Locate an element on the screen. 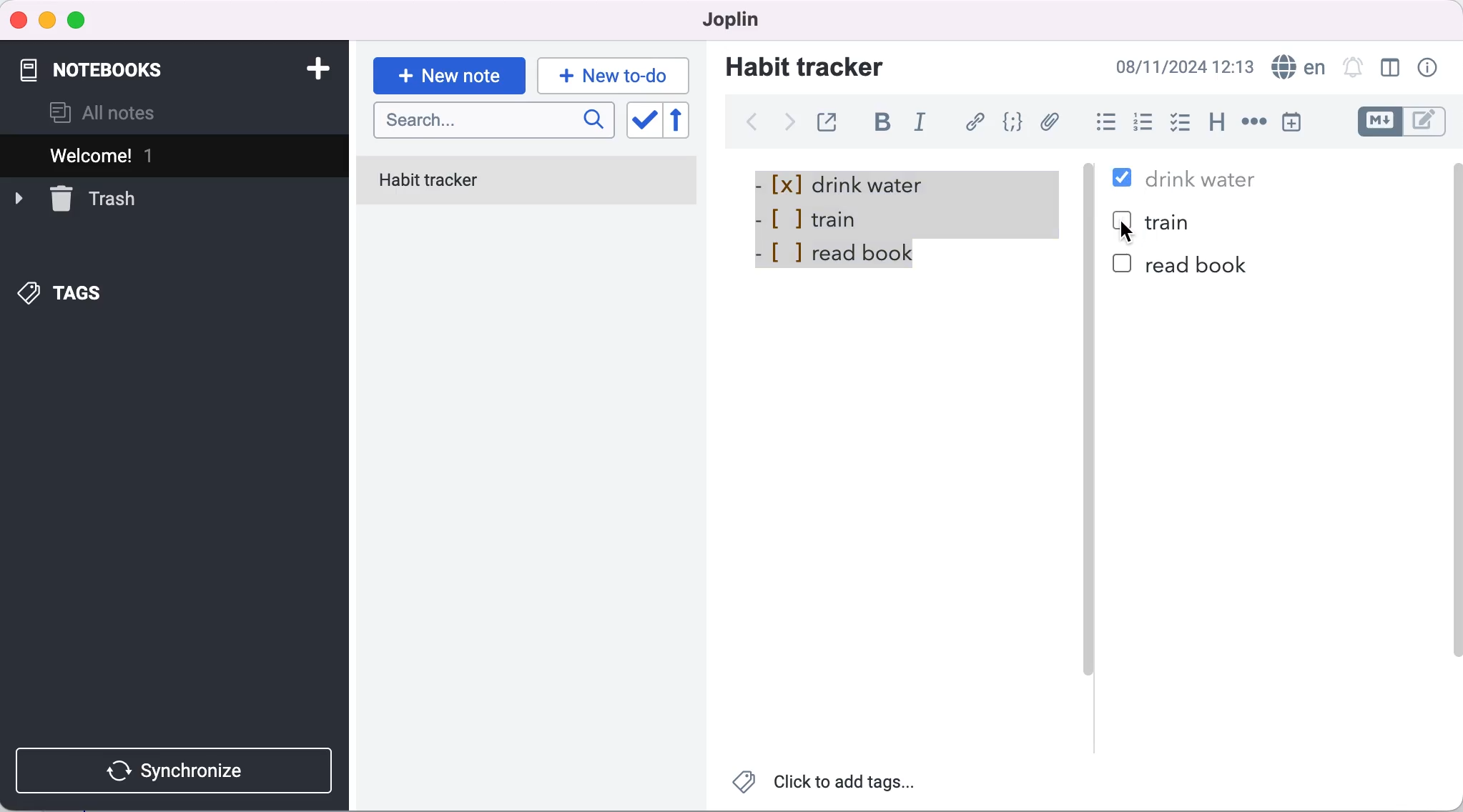  box 1 selected is located at coordinates (1125, 179).